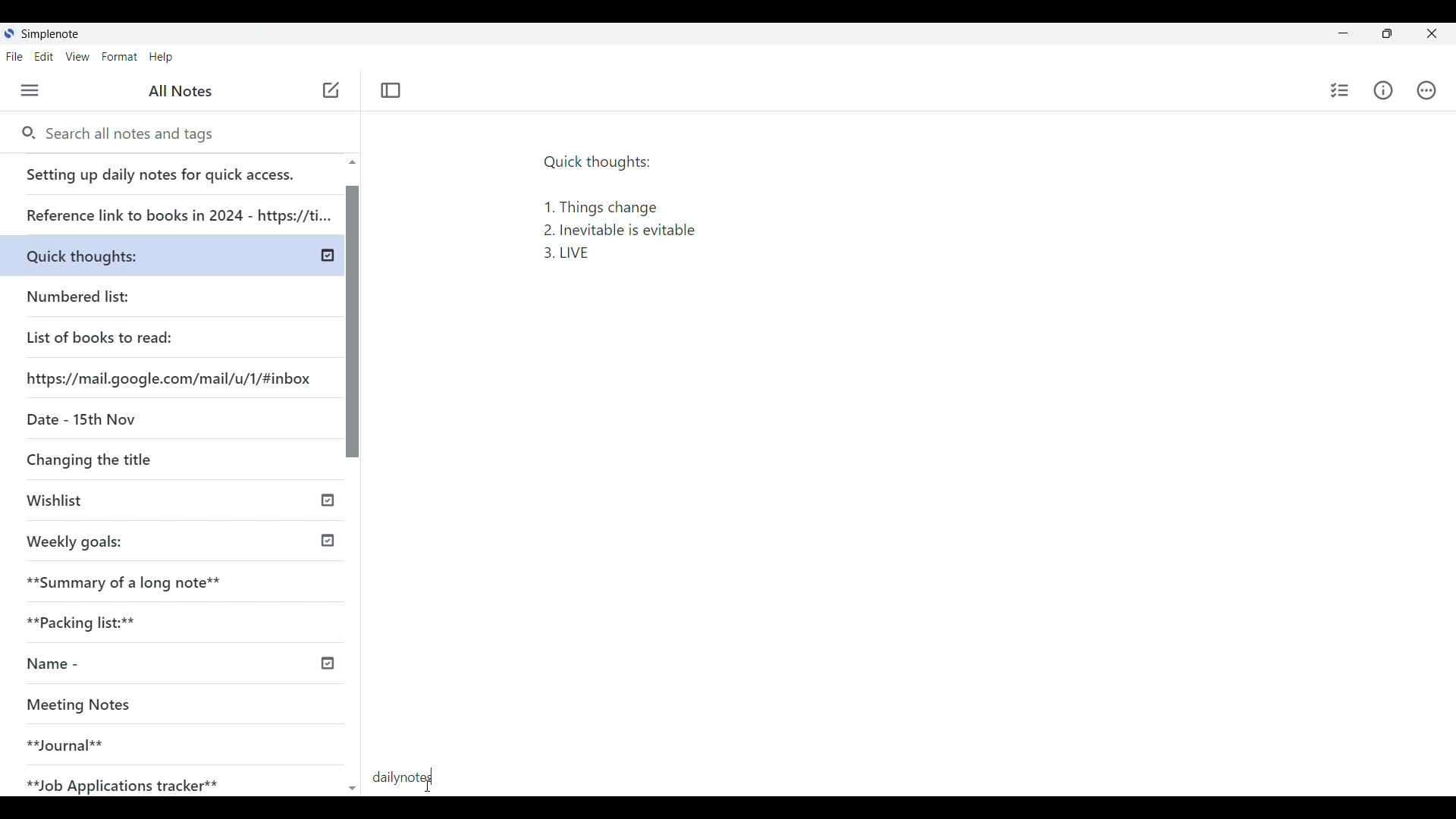 The image size is (1456, 819). What do you see at coordinates (409, 776) in the screenshot?
I see `dailynotes` at bounding box center [409, 776].